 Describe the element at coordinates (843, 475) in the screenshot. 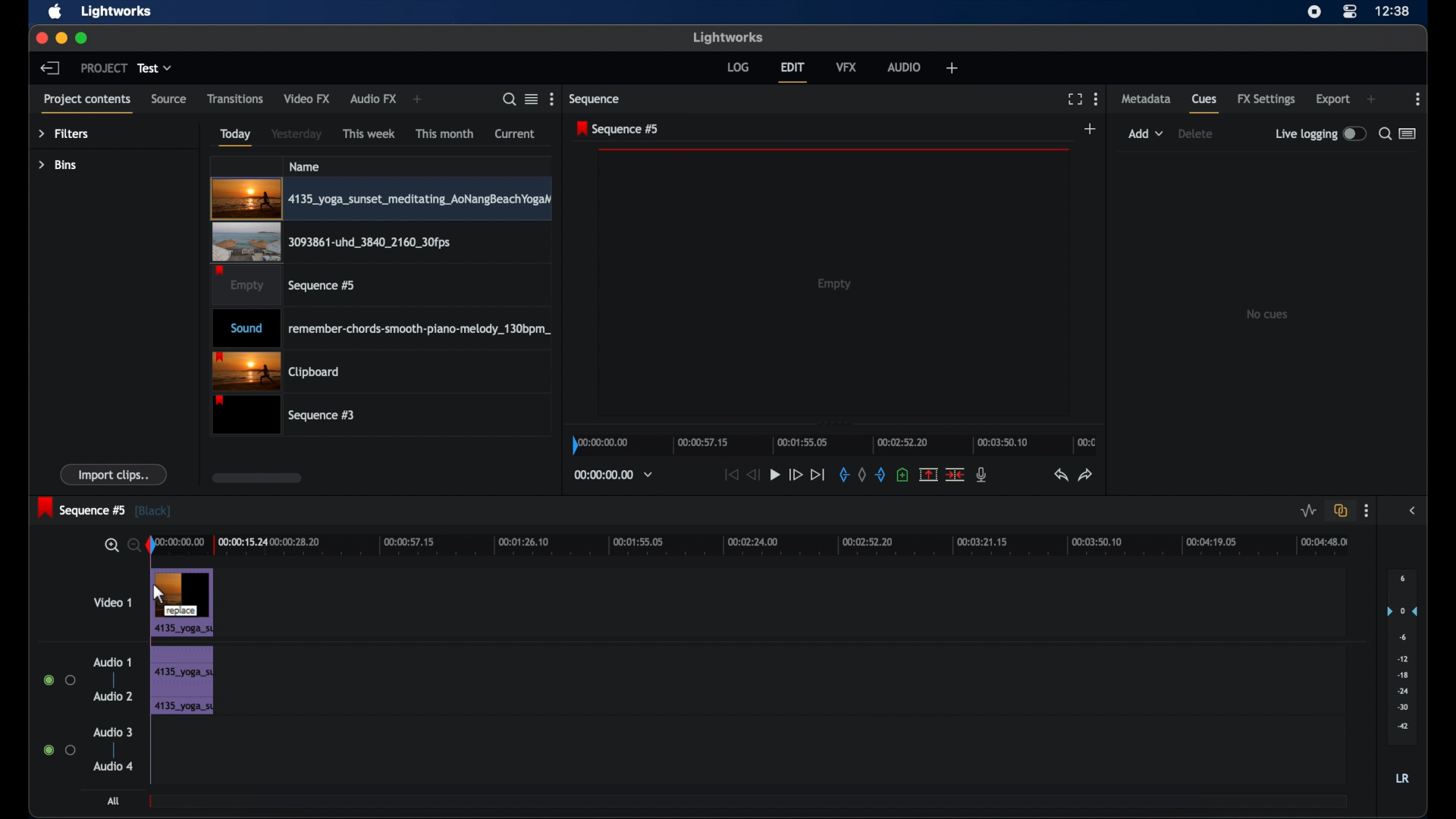

I see `in mark` at that location.